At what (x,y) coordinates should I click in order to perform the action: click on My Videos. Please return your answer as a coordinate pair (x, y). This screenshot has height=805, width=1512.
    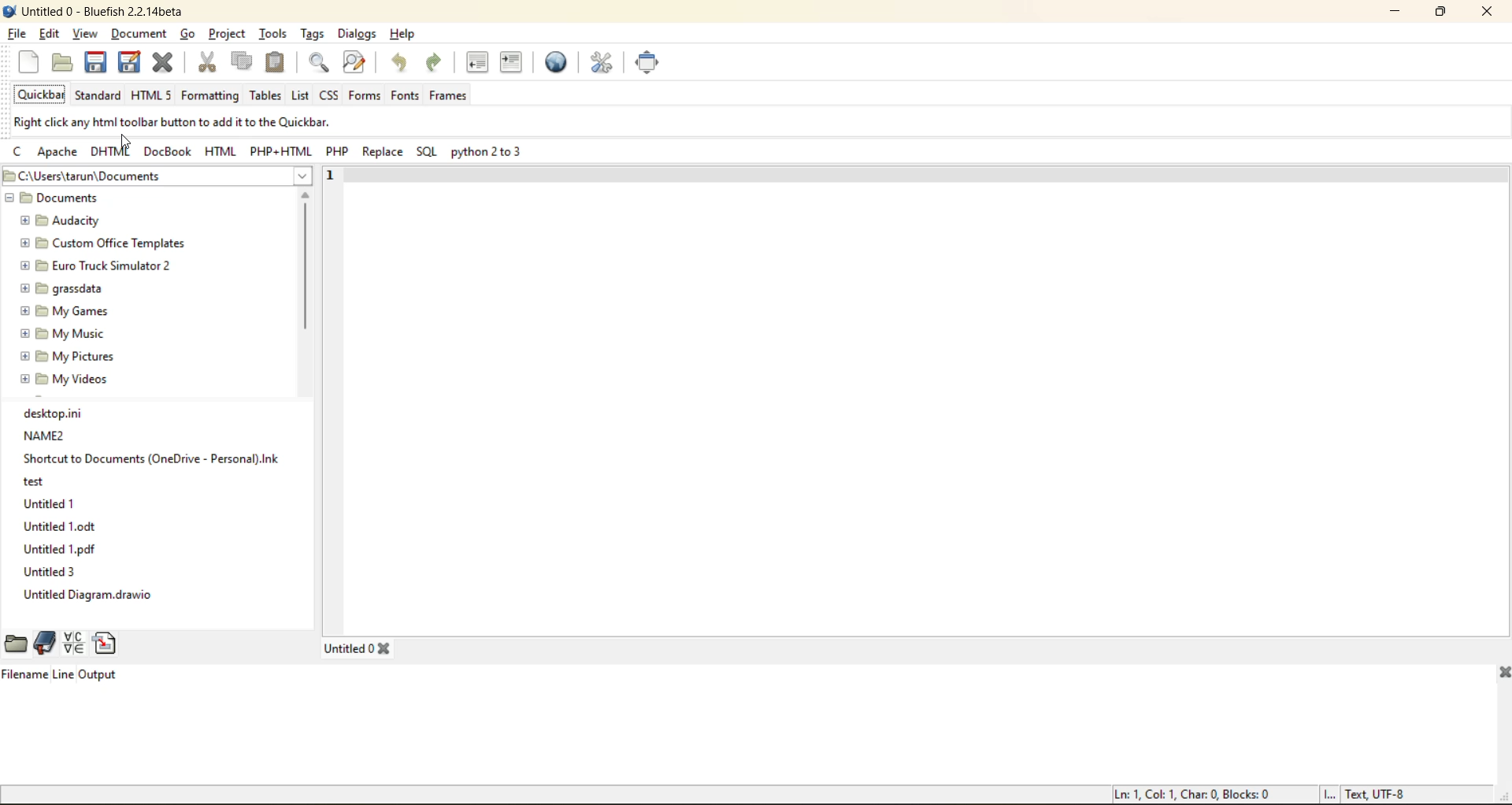
    Looking at the image, I should click on (67, 379).